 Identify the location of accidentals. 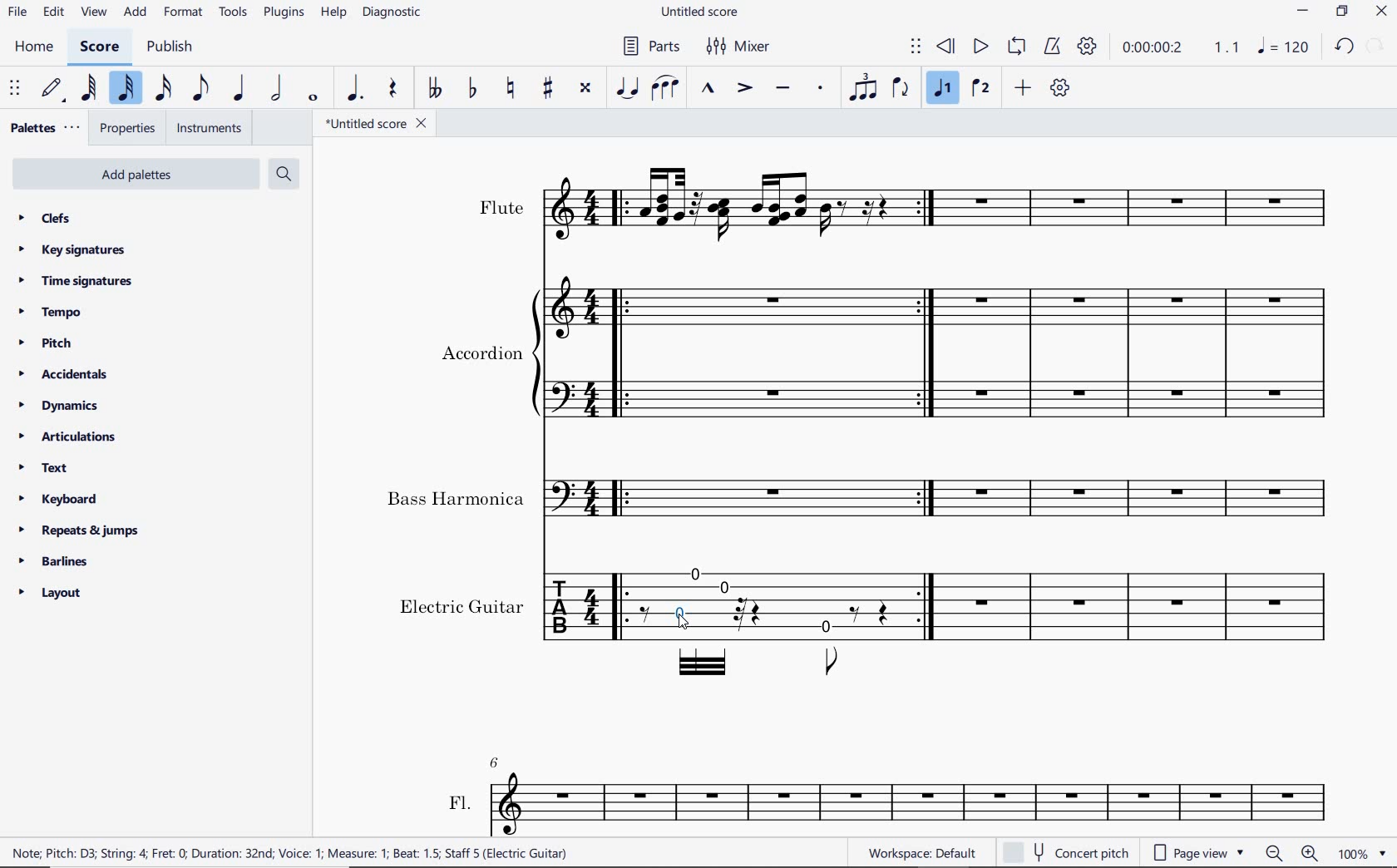
(64, 372).